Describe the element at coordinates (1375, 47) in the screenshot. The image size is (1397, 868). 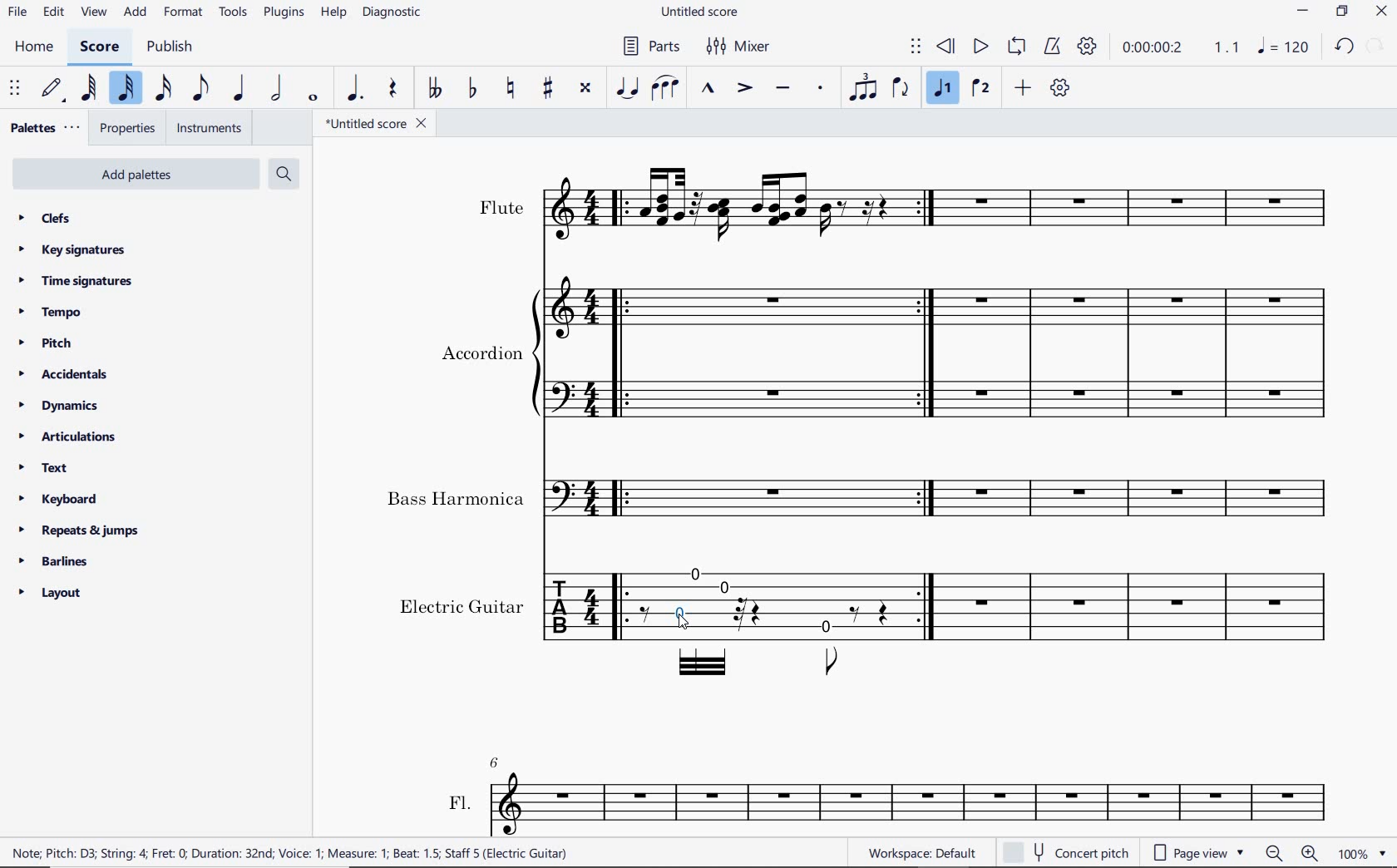
I see `restore down` at that location.